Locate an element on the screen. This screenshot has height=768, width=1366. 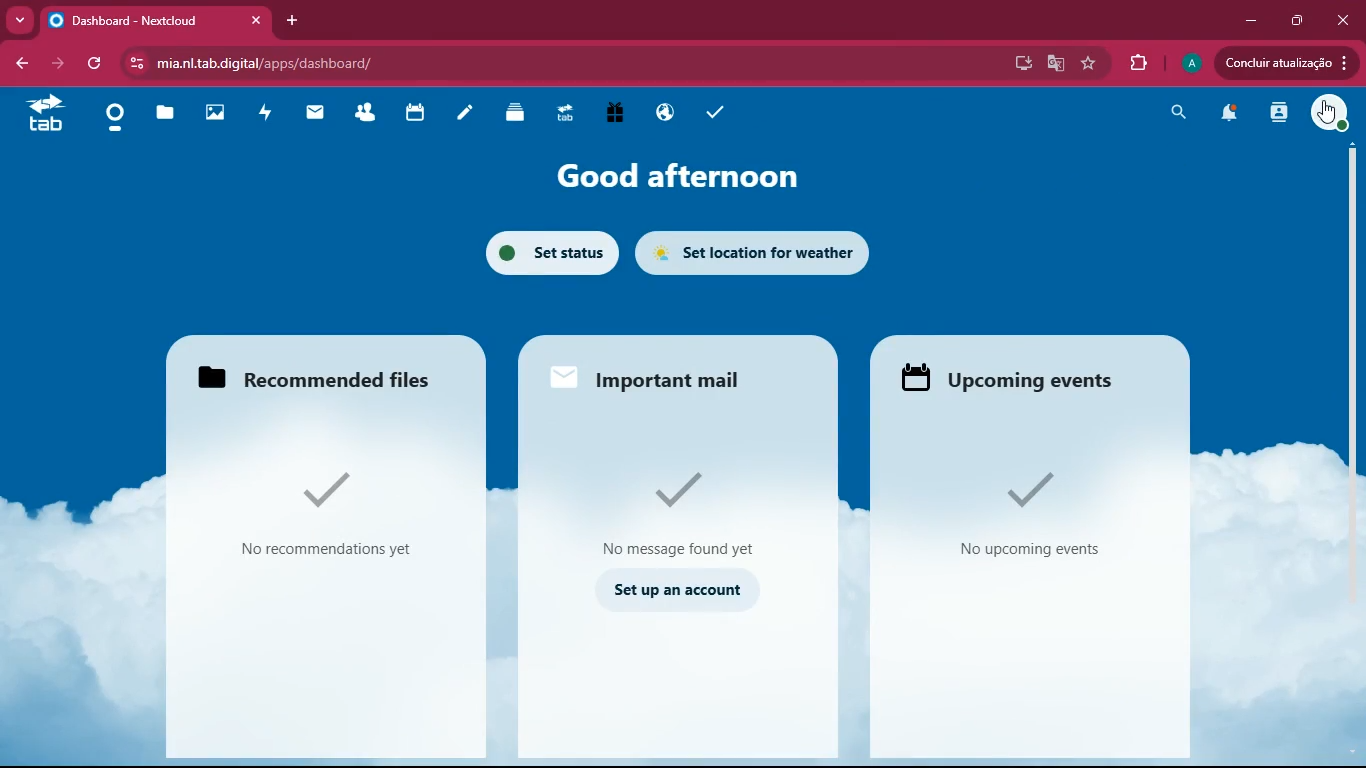
home is located at coordinates (121, 117).